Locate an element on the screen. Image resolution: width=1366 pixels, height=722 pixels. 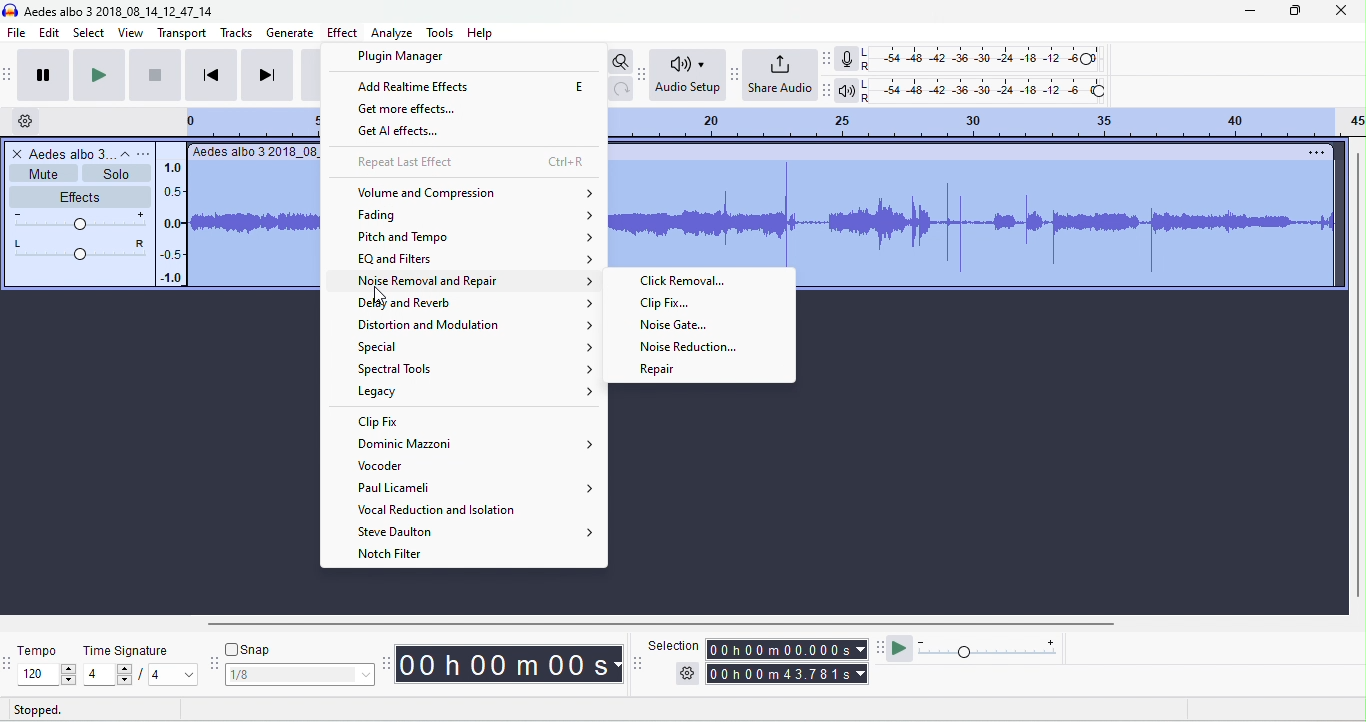
vertical scrollbar is located at coordinates (1357, 378).